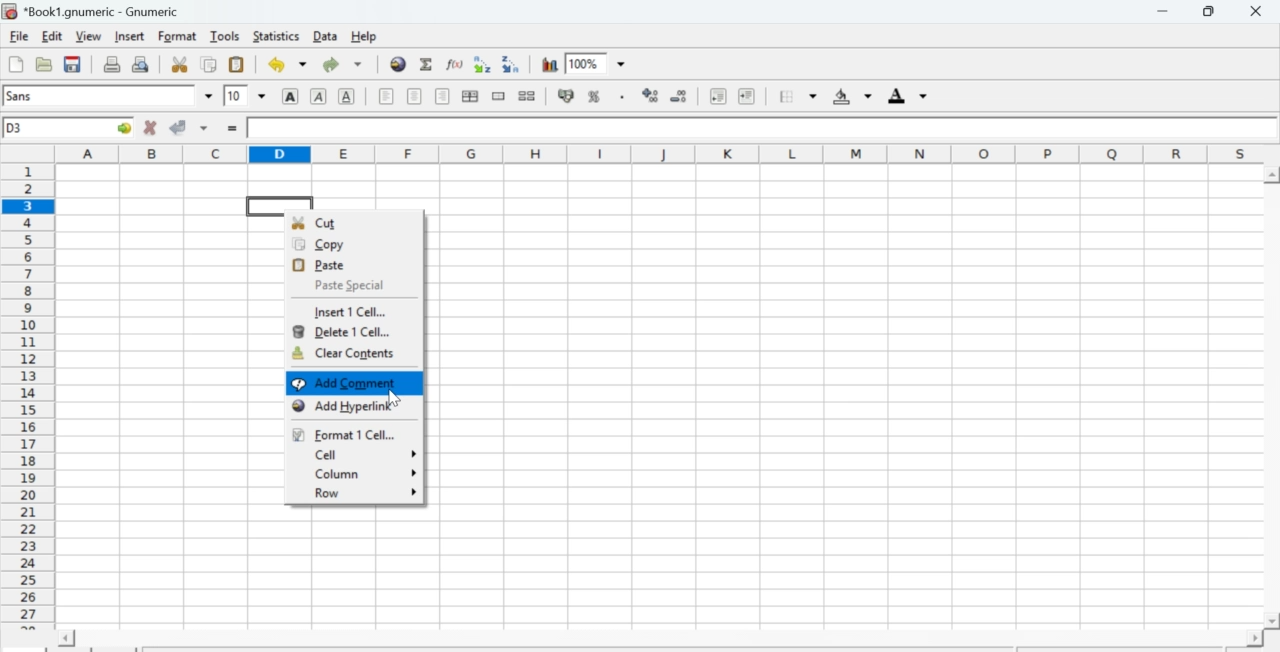 Image resolution: width=1280 pixels, height=652 pixels. What do you see at coordinates (30, 396) in the screenshot?
I see `numbering column` at bounding box center [30, 396].